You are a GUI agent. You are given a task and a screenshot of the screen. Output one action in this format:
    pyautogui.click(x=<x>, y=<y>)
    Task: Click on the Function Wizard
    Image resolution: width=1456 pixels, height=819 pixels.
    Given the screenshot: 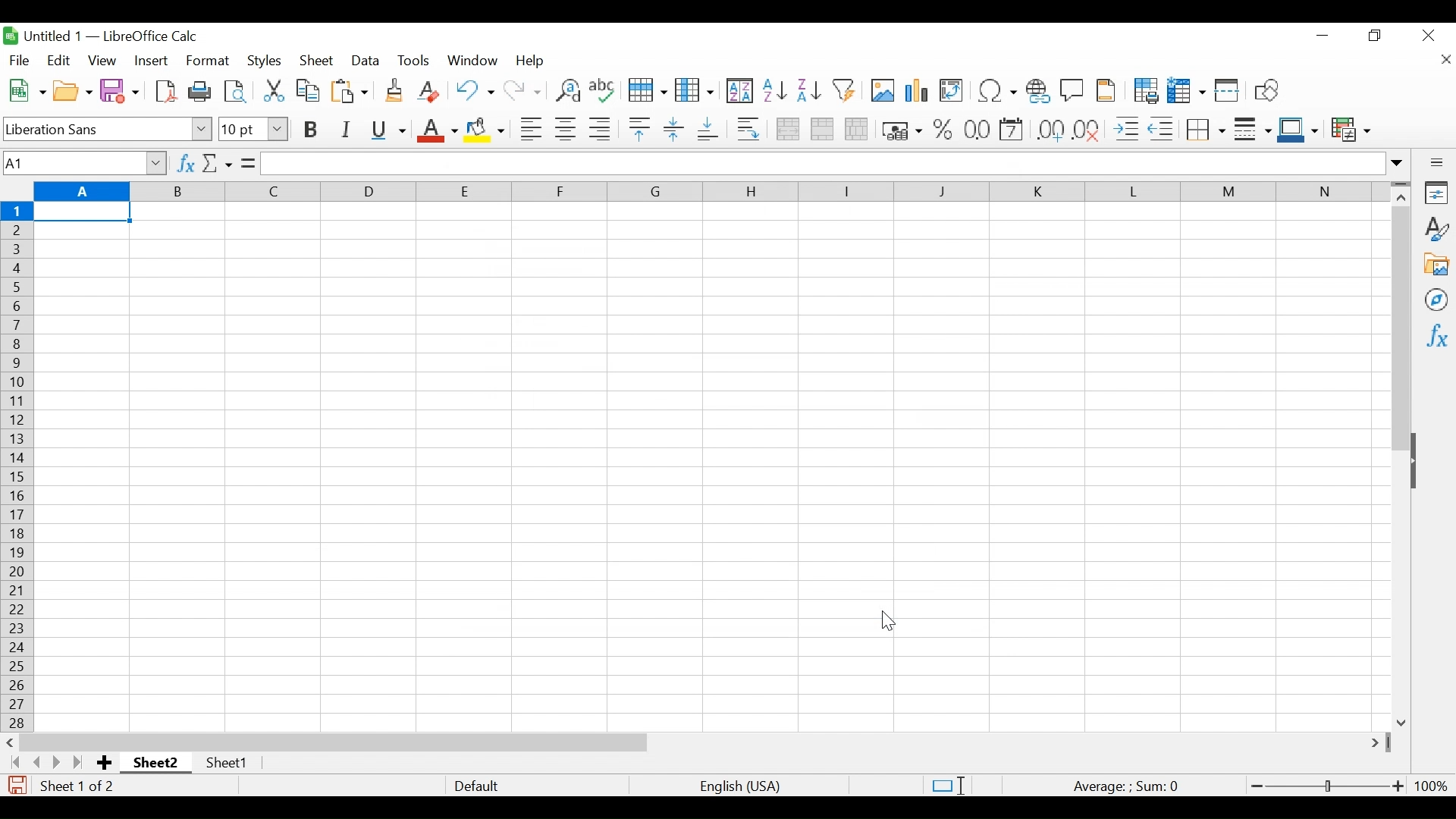 What is the action you would take?
    pyautogui.click(x=184, y=163)
    